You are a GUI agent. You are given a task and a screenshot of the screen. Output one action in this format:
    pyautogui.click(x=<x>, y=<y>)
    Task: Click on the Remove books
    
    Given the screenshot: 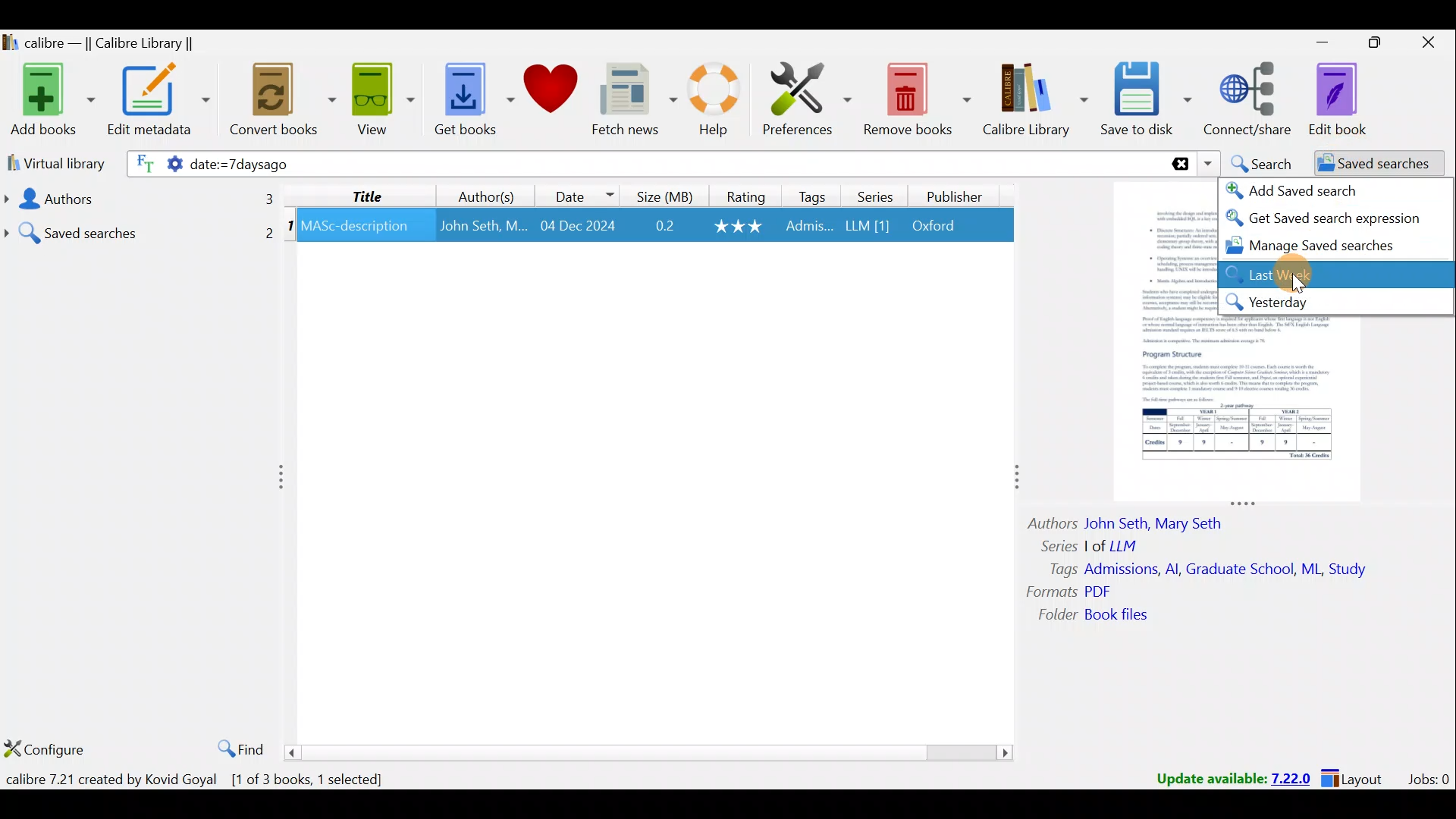 What is the action you would take?
    pyautogui.click(x=916, y=96)
    